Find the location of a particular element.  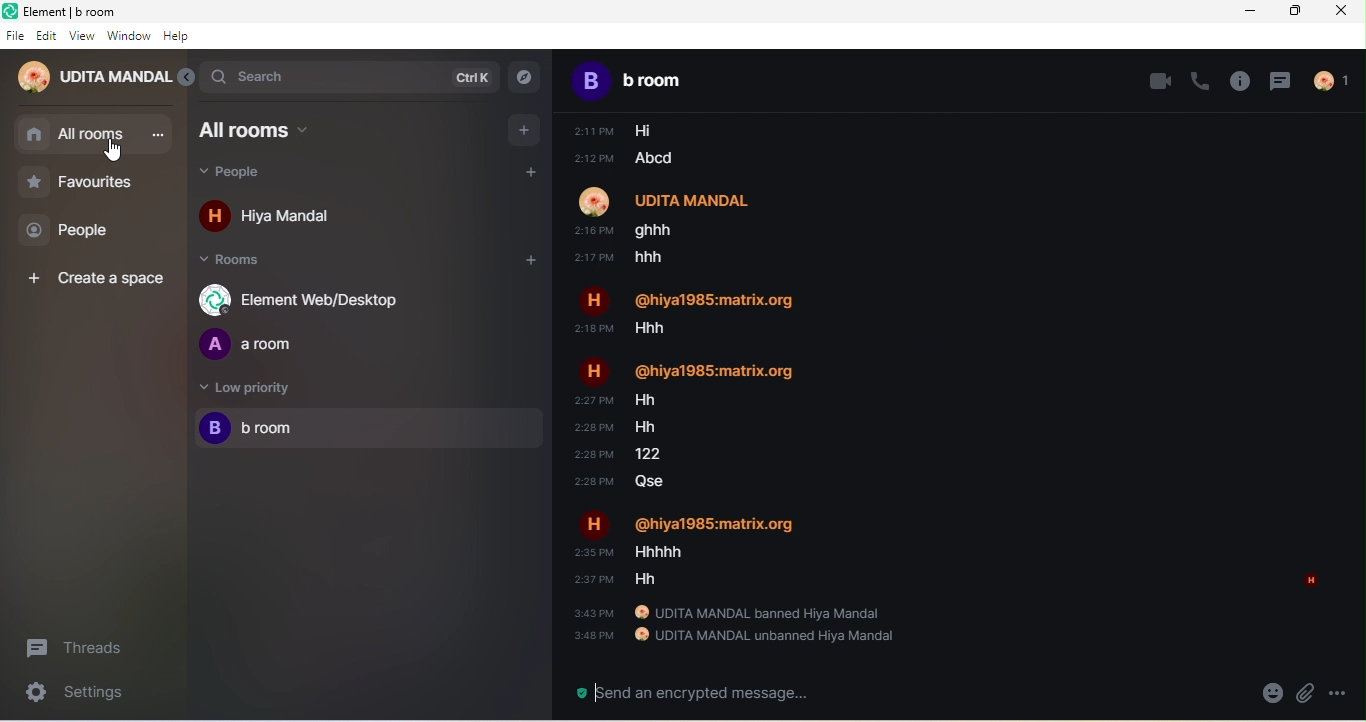

all rooms is located at coordinates (275, 130).